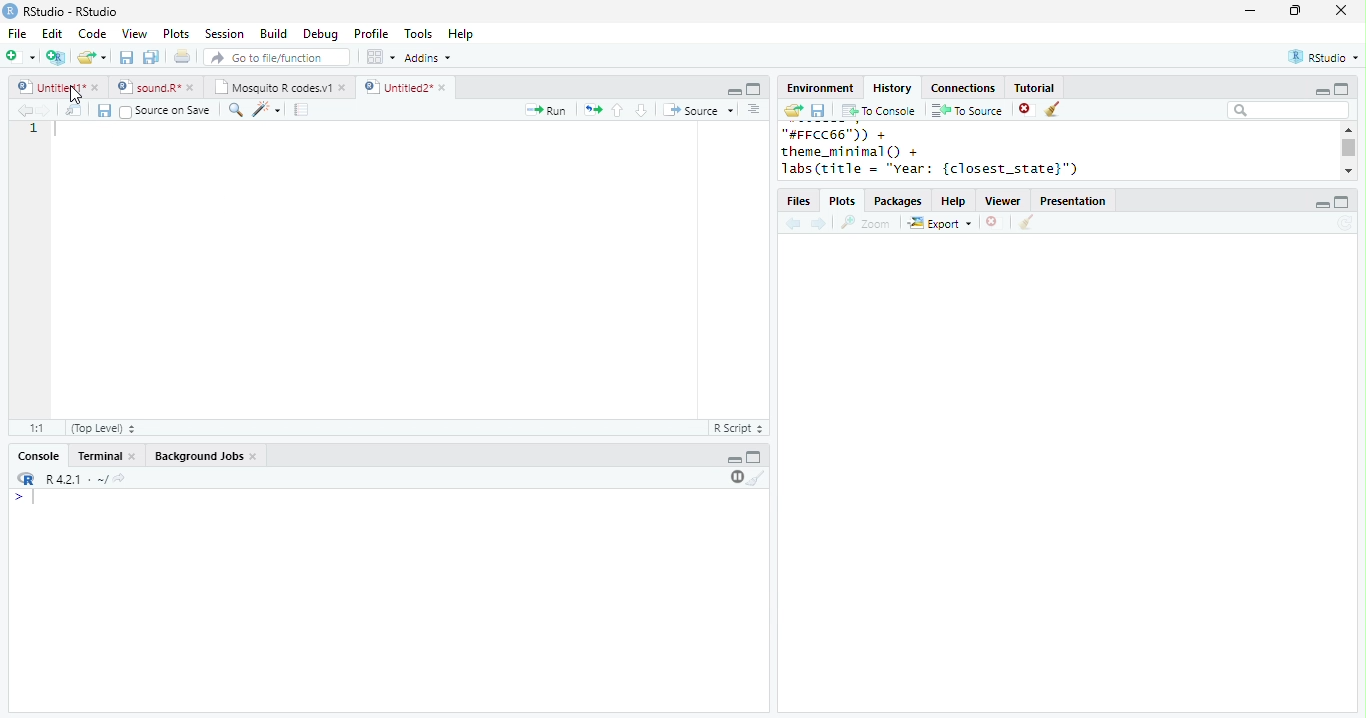  I want to click on clear, so click(1026, 223).